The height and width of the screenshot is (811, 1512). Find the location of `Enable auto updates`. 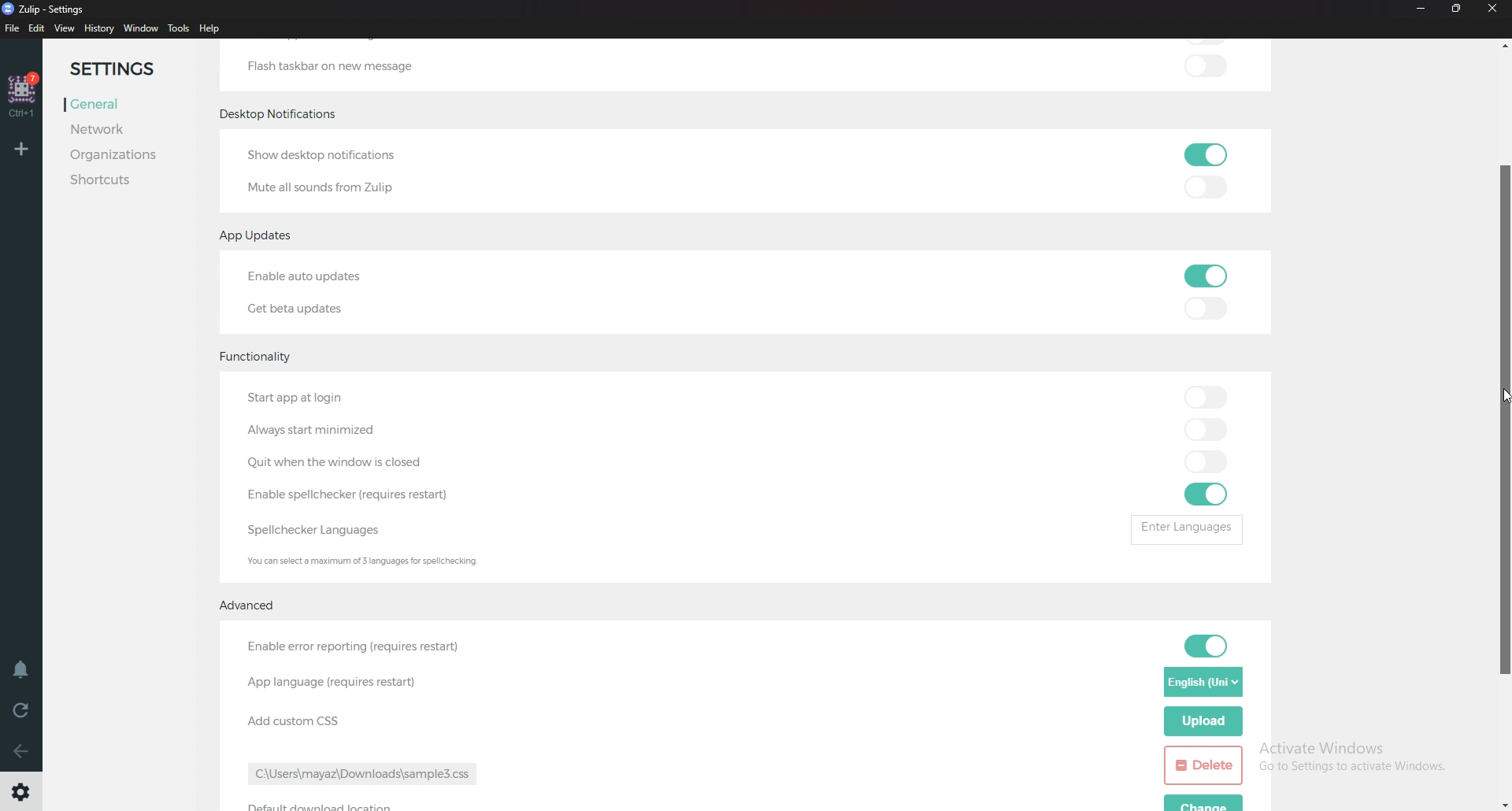

Enable auto updates is located at coordinates (333, 276).